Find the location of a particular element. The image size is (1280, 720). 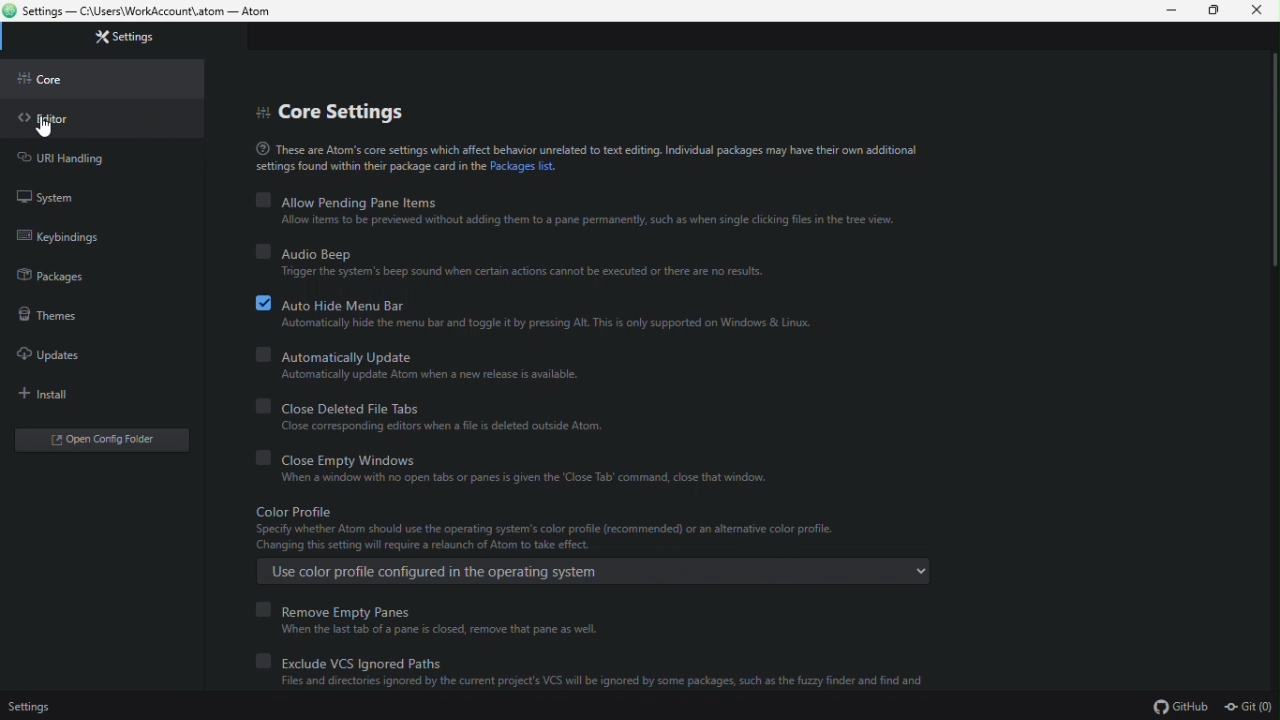

These are Atom's core settings which affect behavior unrelated to text editing. Individual packages may have their own additional settings found within thei package card in the Packages list is located at coordinates (603, 159).